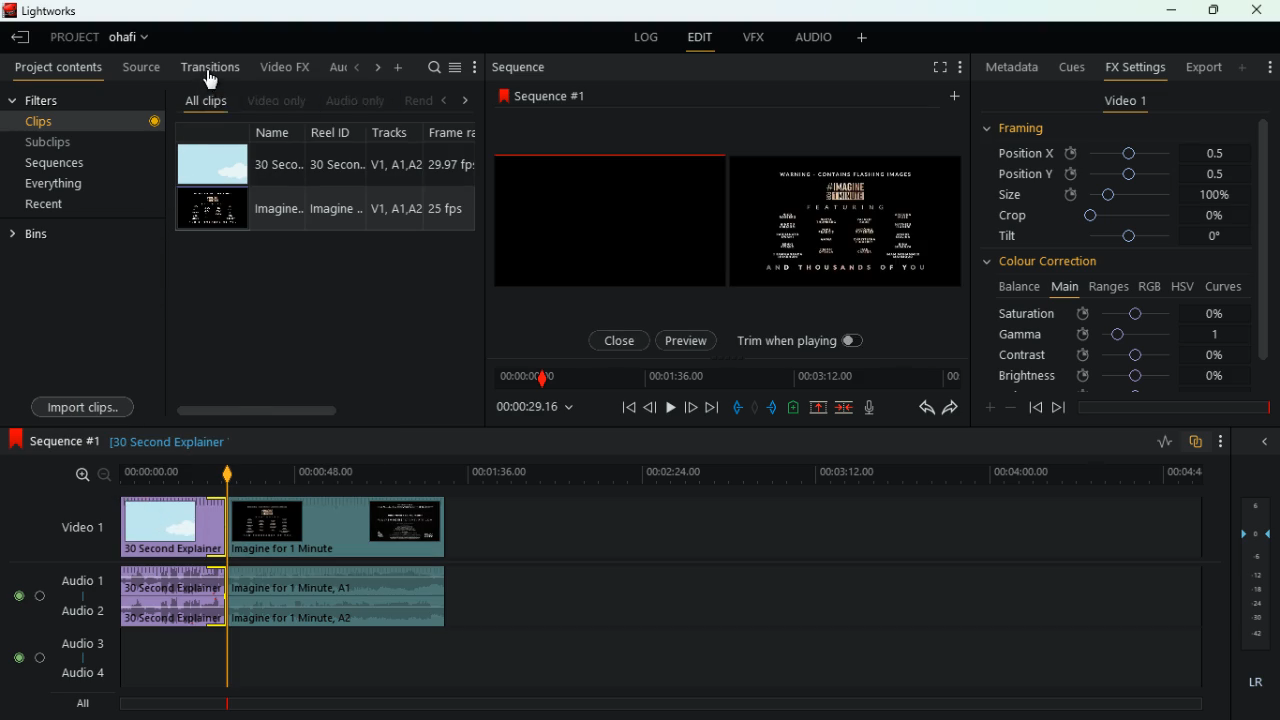  Describe the element at coordinates (1262, 441) in the screenshot. I see `back` at that location.